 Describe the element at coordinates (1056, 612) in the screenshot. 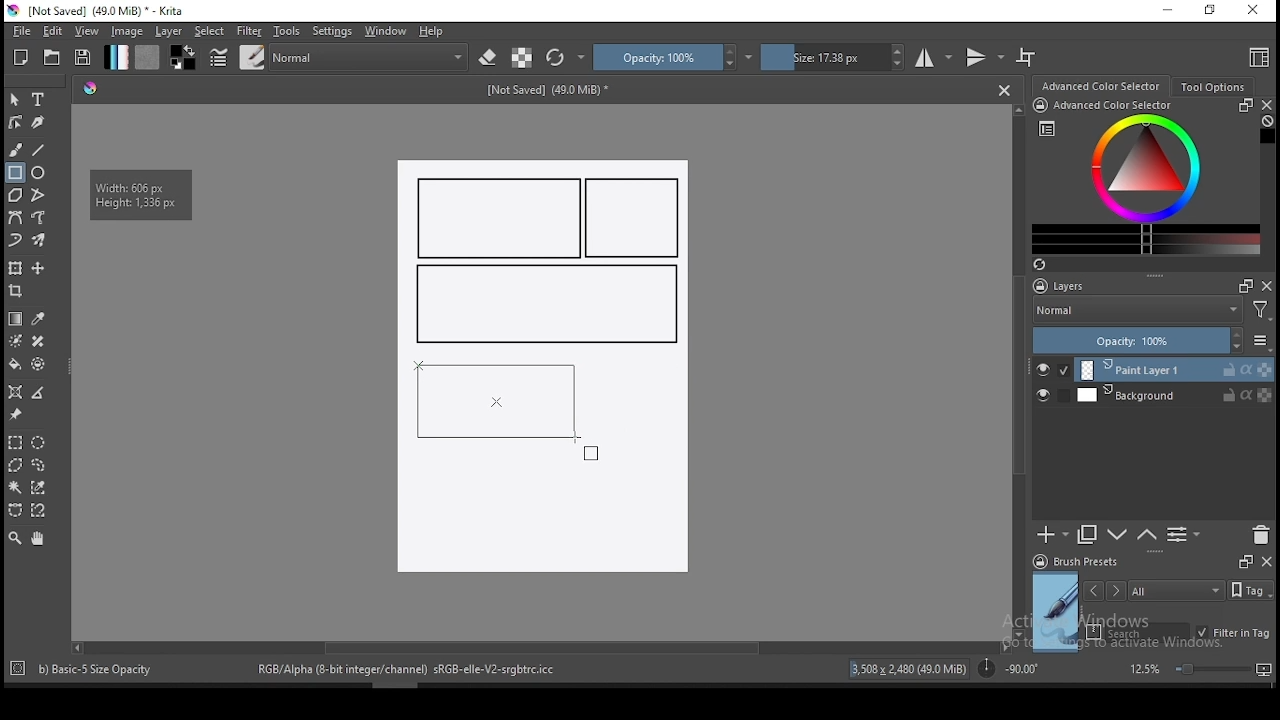

I see `preview` at that location.